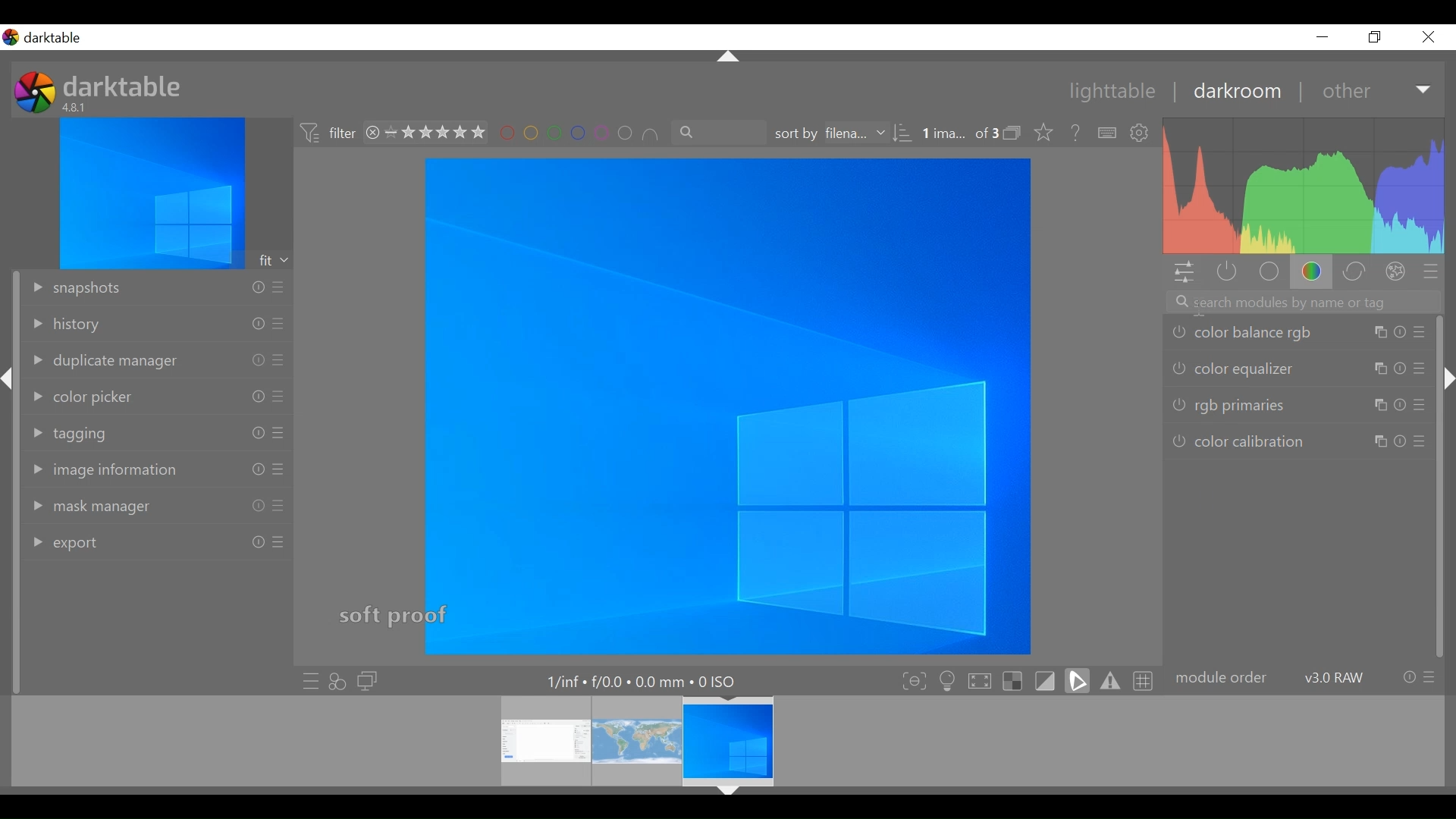 The image size is (1456, 819). I want to click on filter, so click(326, 134).